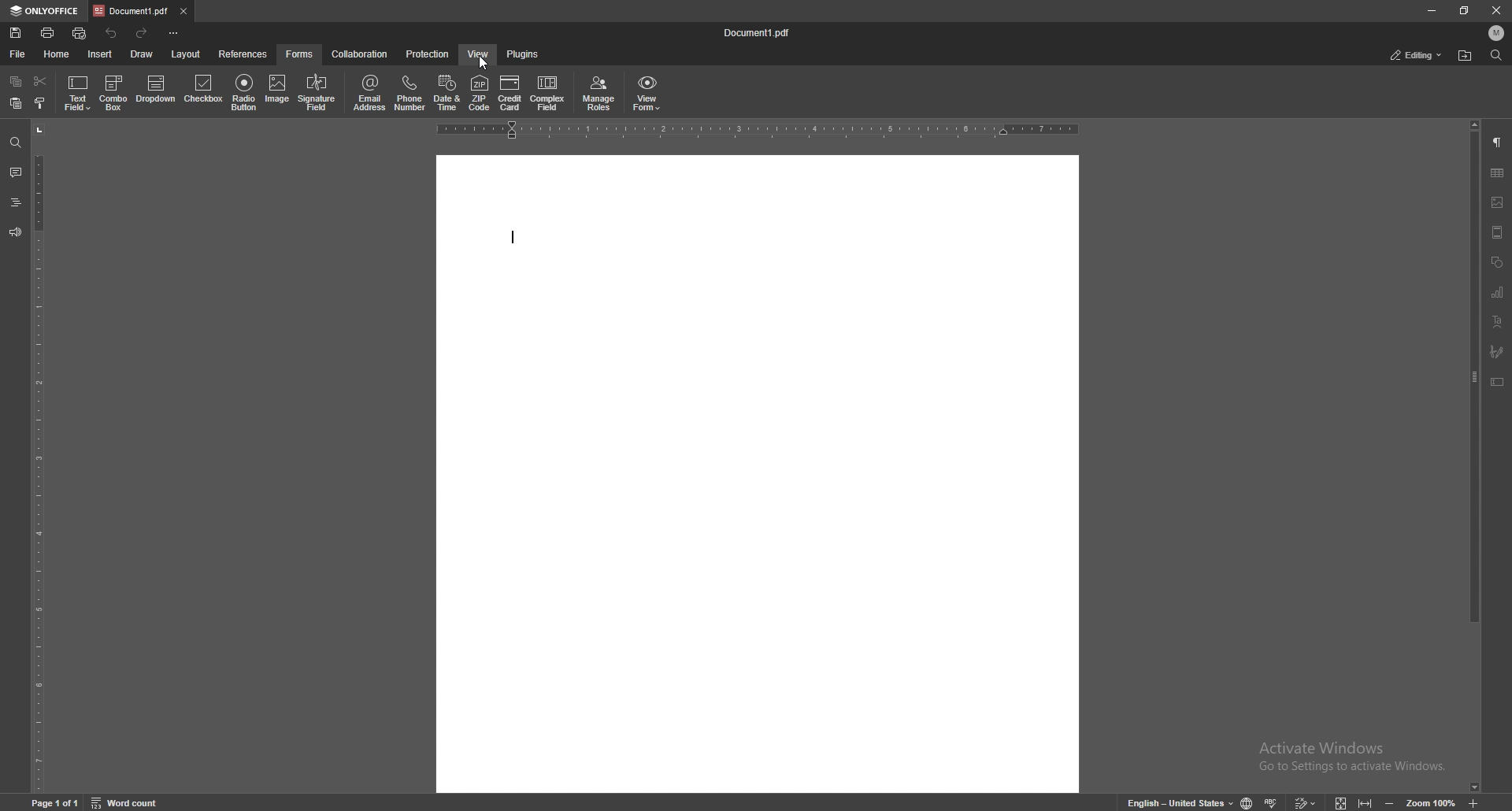 The image size is (1512, 811). What do you see at coordinates (1497, 33) in the screenshot?
I see `profile` at bounding box center [1497, 33].